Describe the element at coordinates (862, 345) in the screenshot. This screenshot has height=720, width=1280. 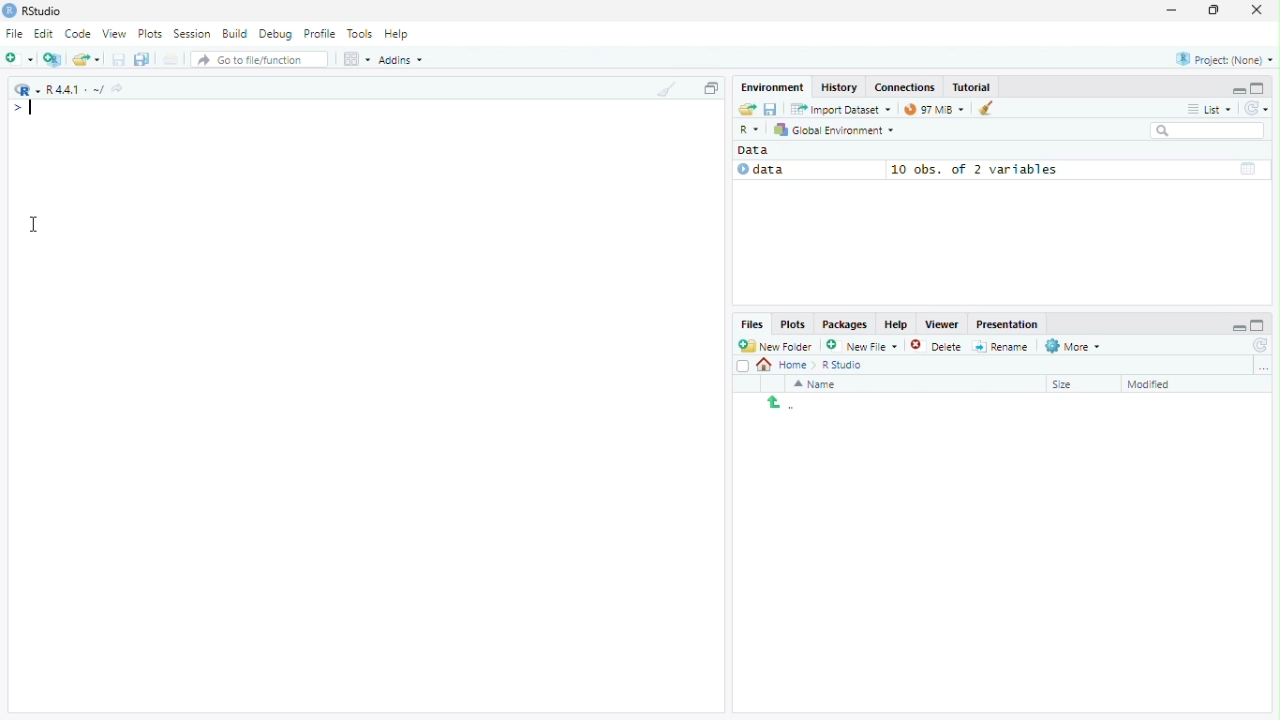
I see `Create new file` at that location.